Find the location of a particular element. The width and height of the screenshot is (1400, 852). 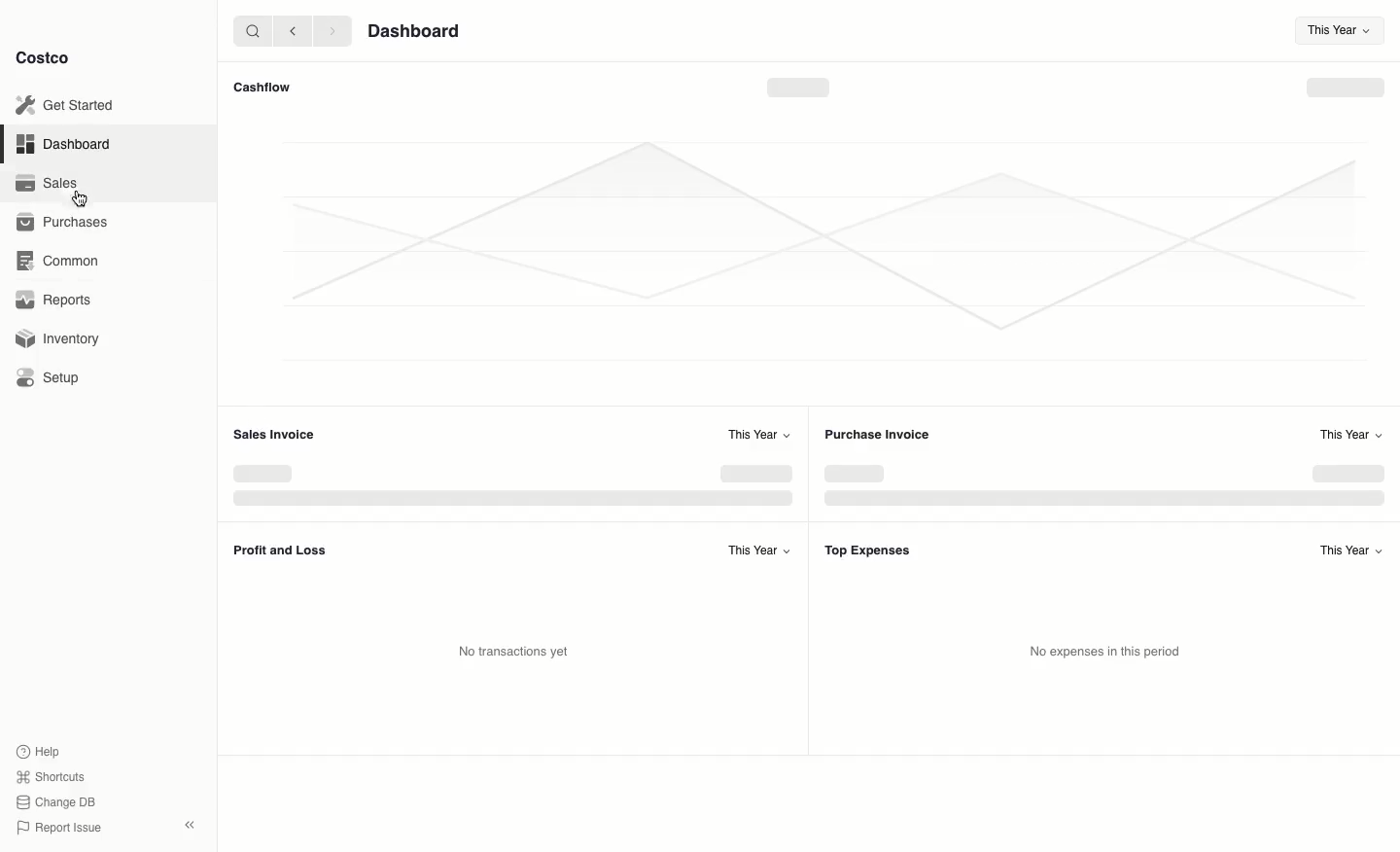

Reports is located at coordinates (48, 299).